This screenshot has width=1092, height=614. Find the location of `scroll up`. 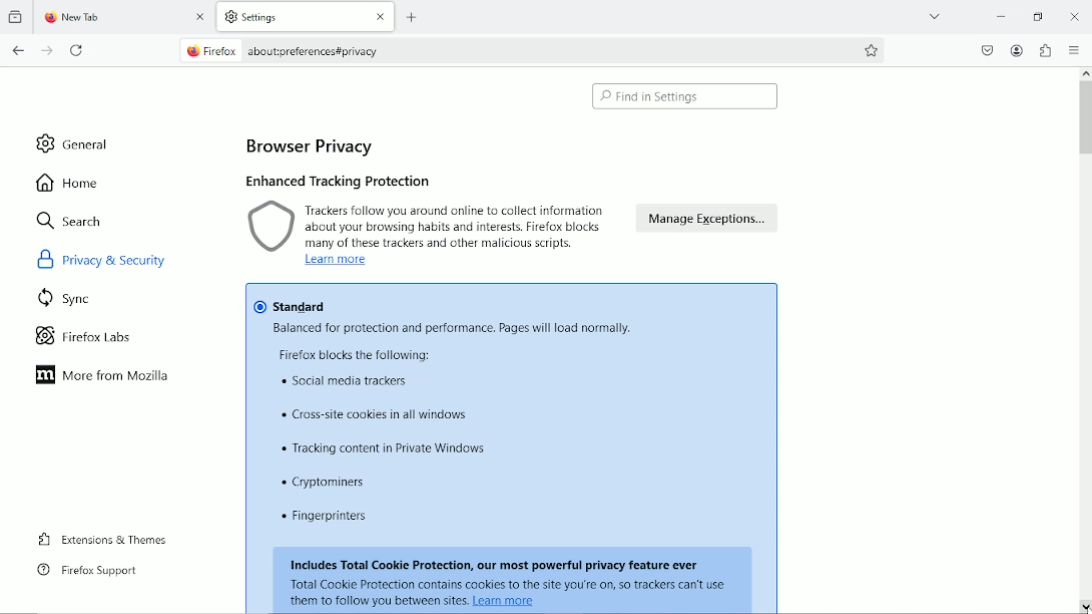

scroll up is located at coordinates (1084, 73).